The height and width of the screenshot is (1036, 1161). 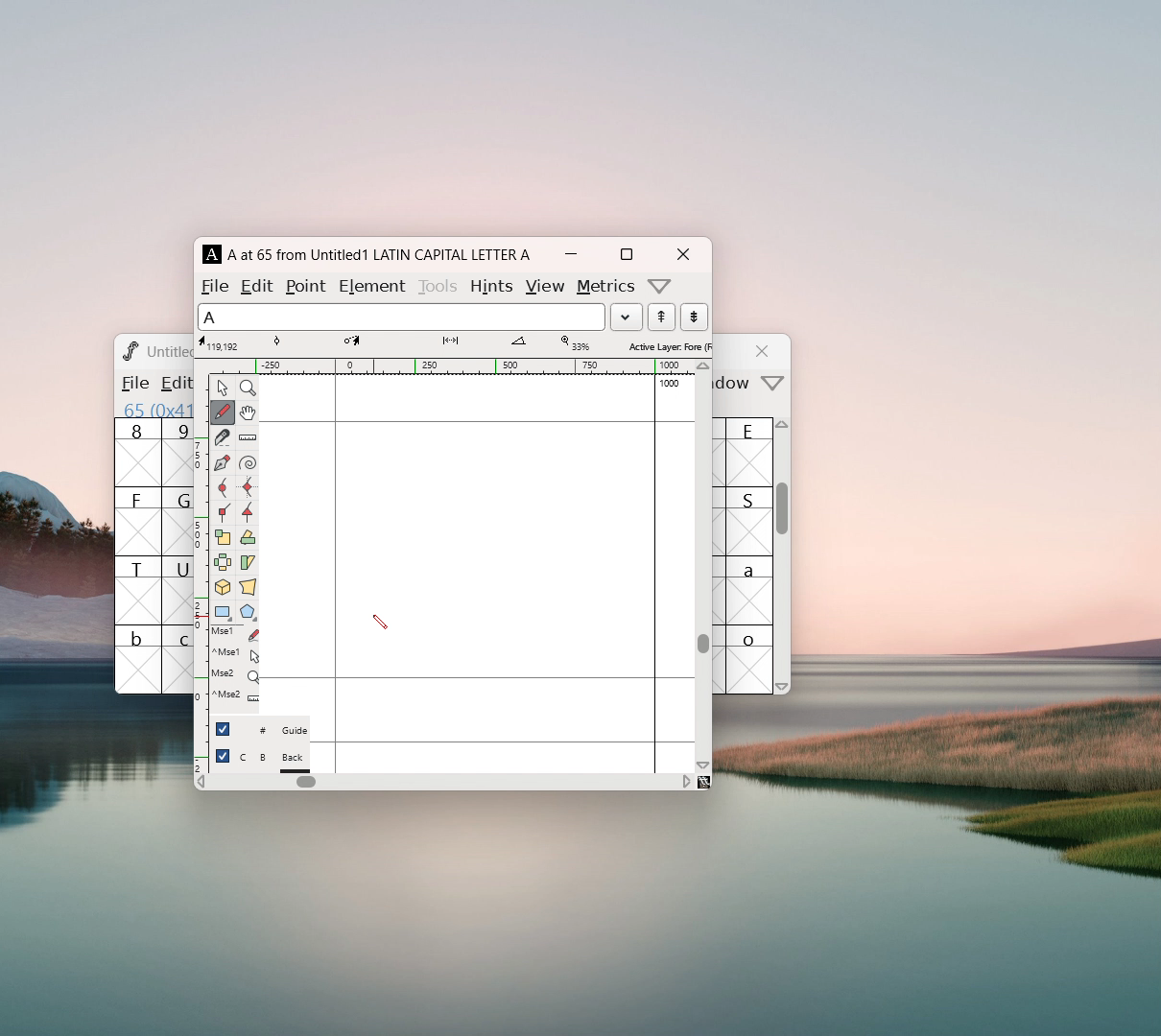 I want to click on angle, so click(x=519, y=343).